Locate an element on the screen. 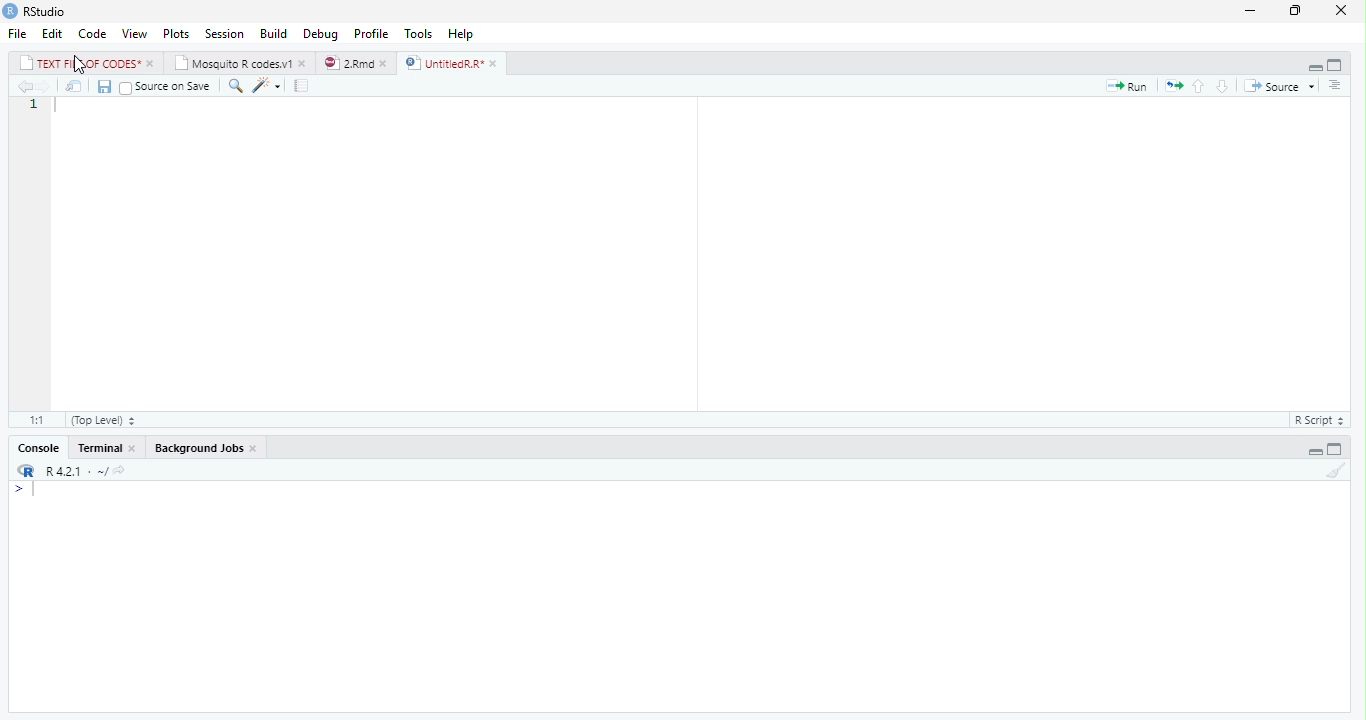 This screenshot has height=720, width=1366. Source is located at coordinates (1277, 85).